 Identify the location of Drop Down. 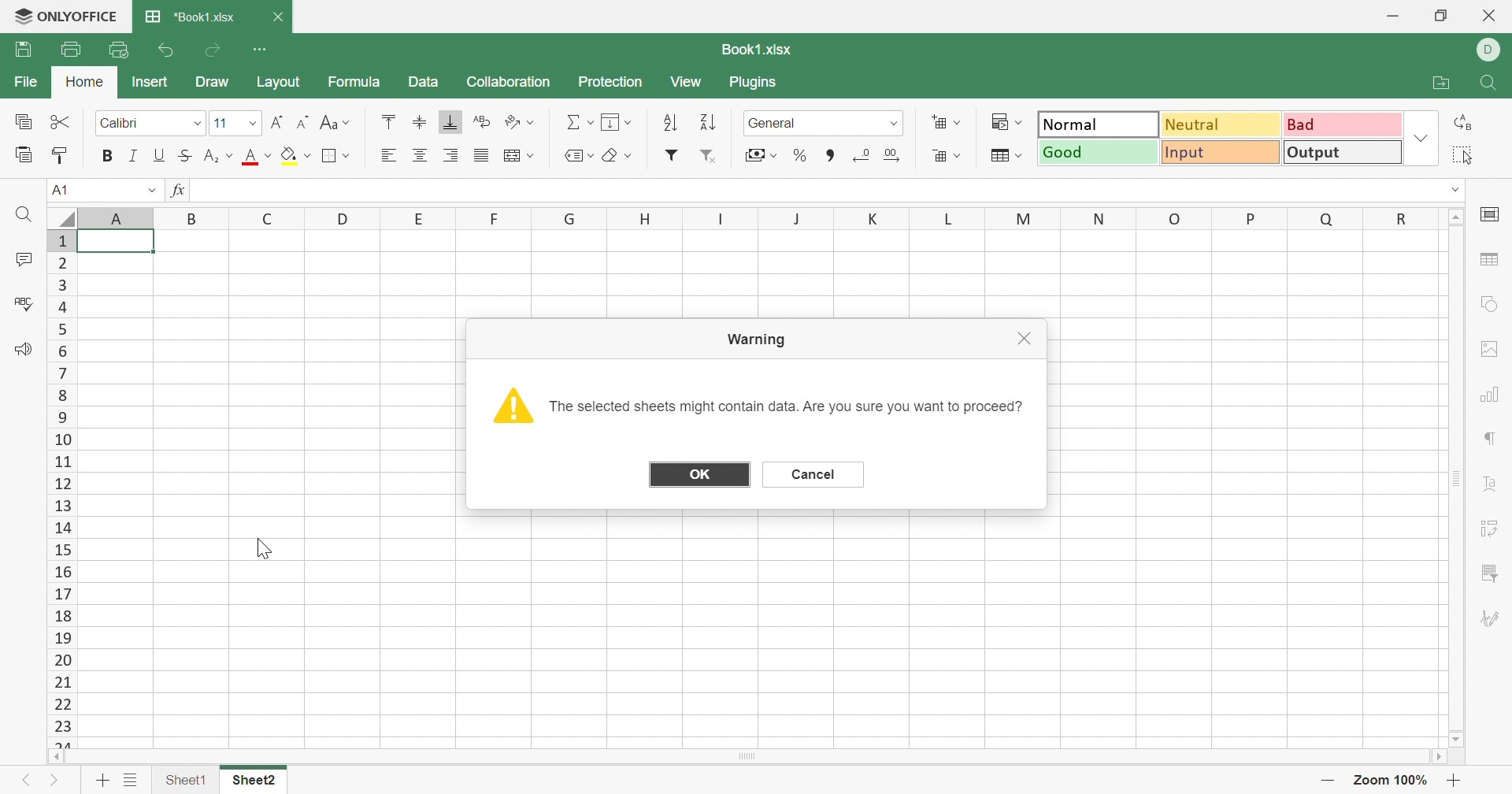
(310, 155).